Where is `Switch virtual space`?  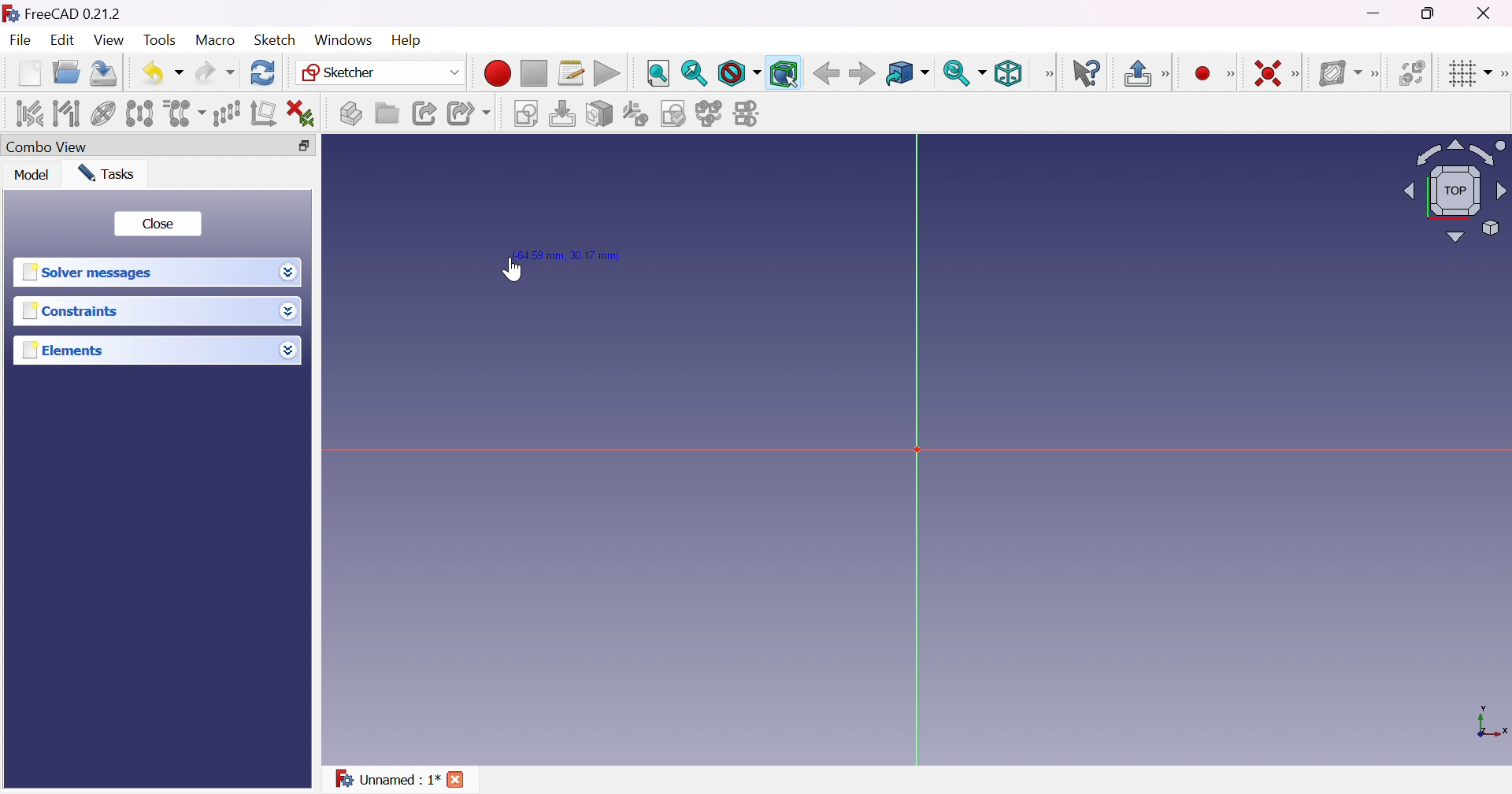 Switch virtual space is located at coordinates (1412, 74).